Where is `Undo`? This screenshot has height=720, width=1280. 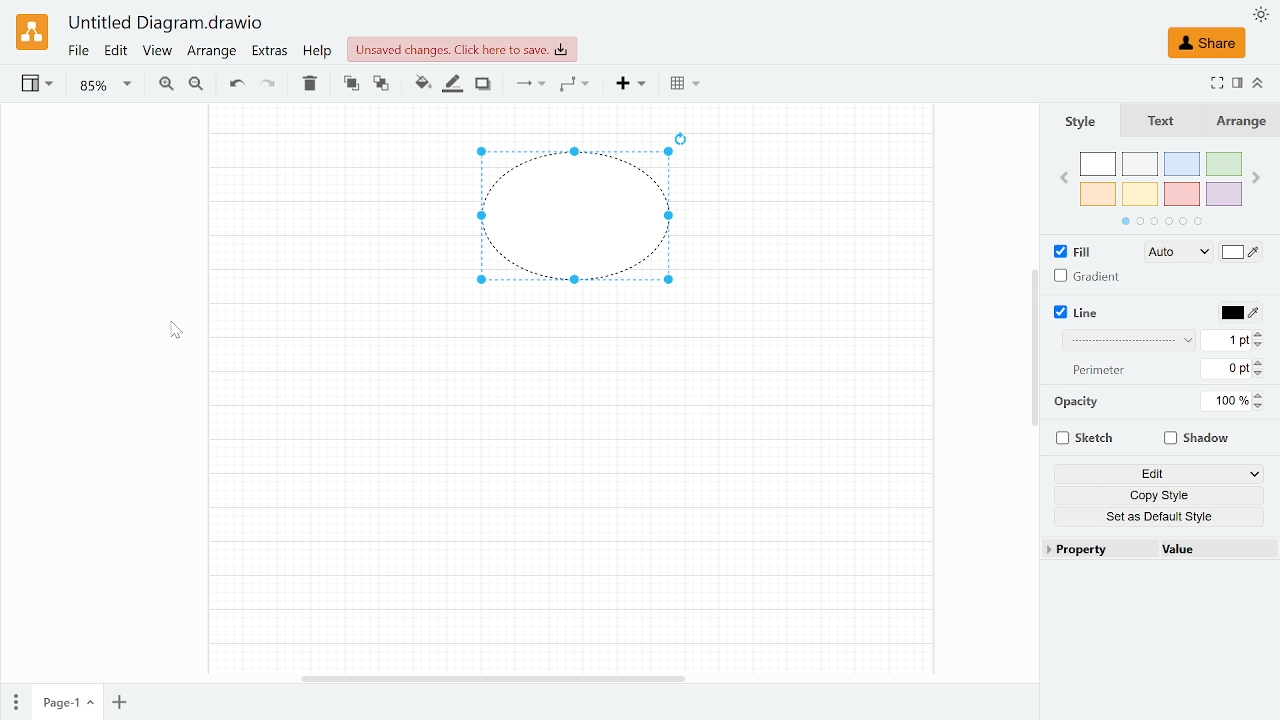
Undo is located at coordinates (237, 85).